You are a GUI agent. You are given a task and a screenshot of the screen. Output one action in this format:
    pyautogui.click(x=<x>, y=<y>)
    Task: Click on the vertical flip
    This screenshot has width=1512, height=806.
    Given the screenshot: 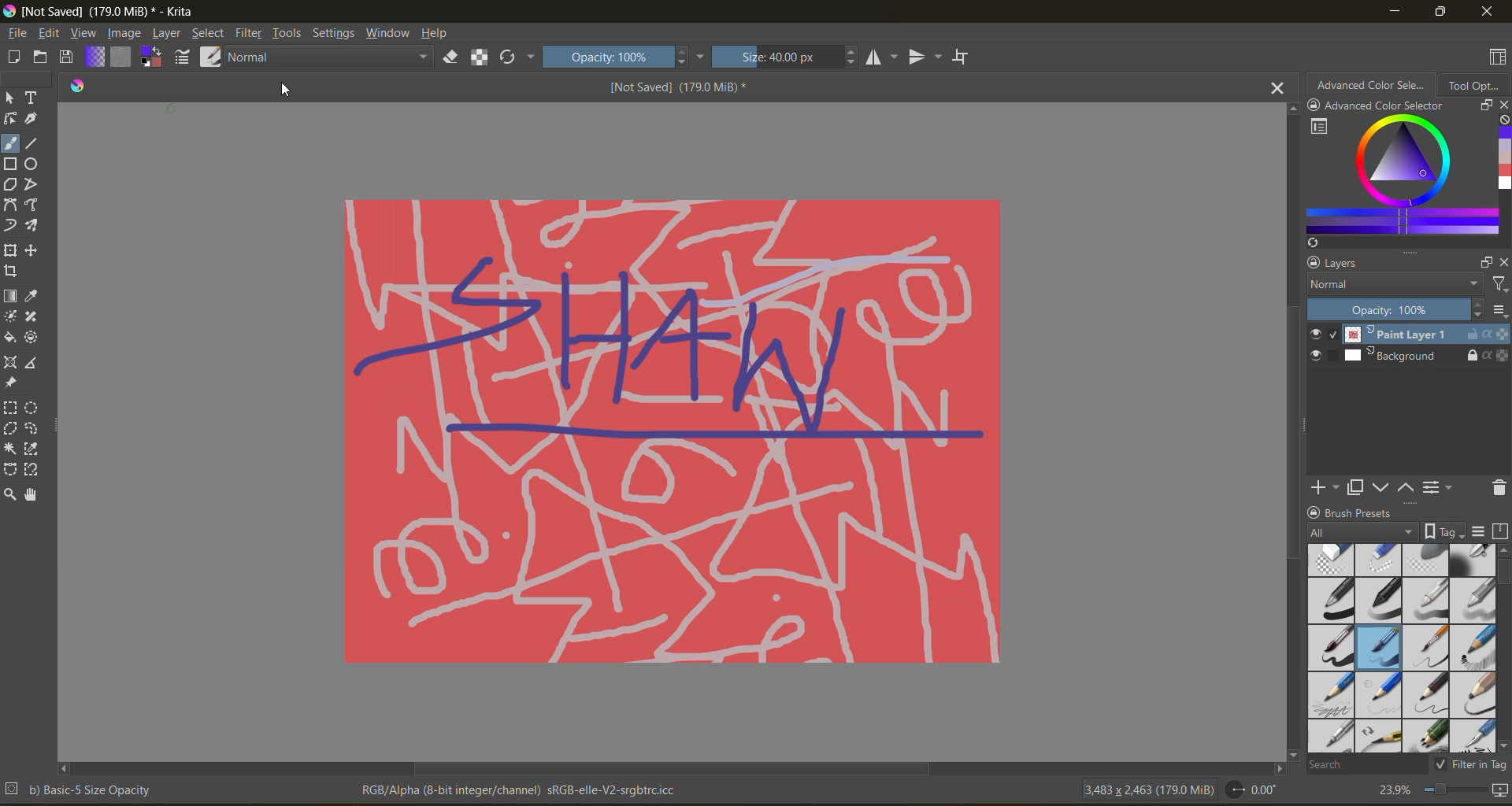 What is the action you would take?
    pyautogui.click(x=925, y=57)
    